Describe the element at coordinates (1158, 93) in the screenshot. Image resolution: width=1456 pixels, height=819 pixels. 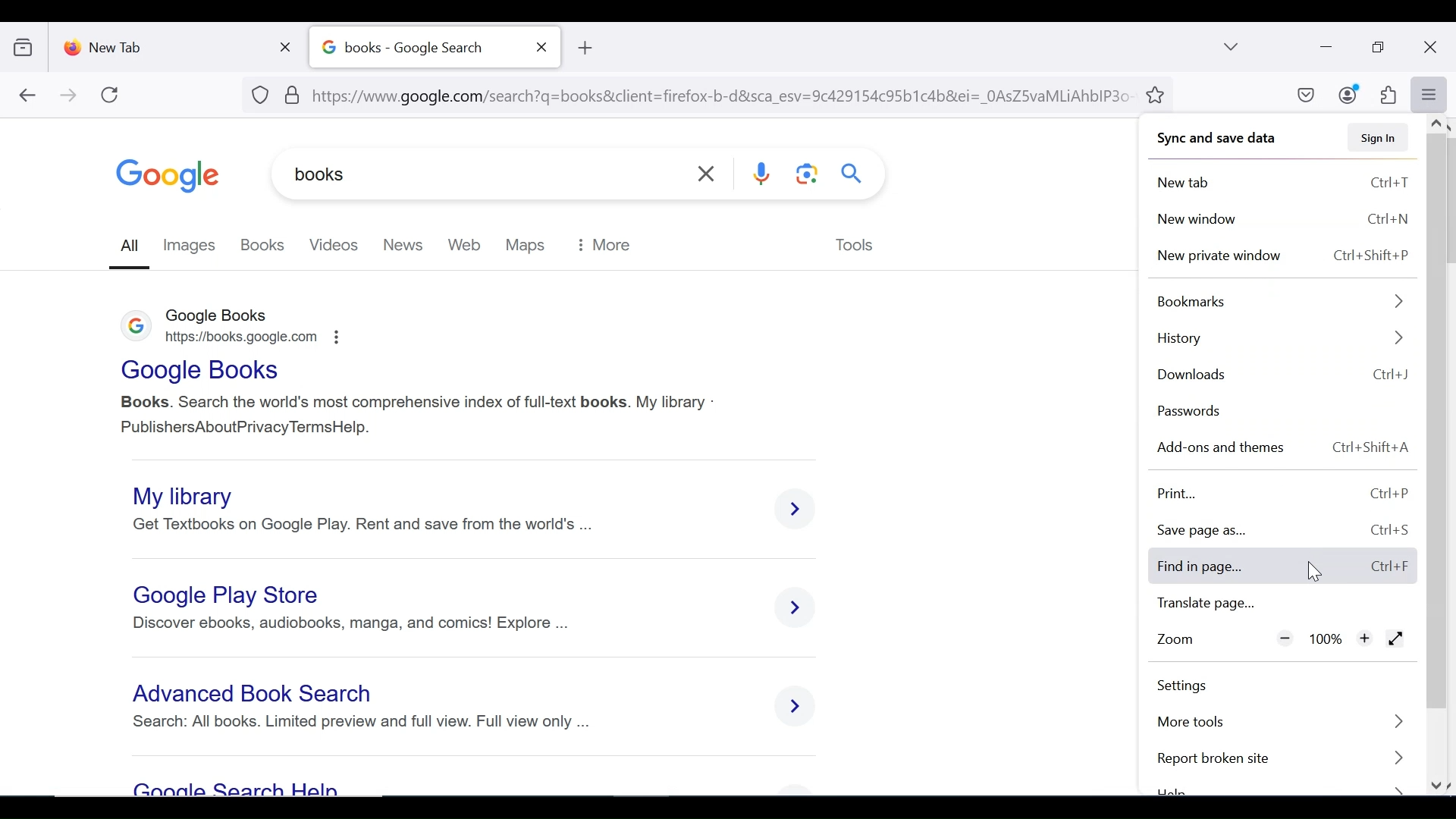
I see `bookmark this tab` at that location.